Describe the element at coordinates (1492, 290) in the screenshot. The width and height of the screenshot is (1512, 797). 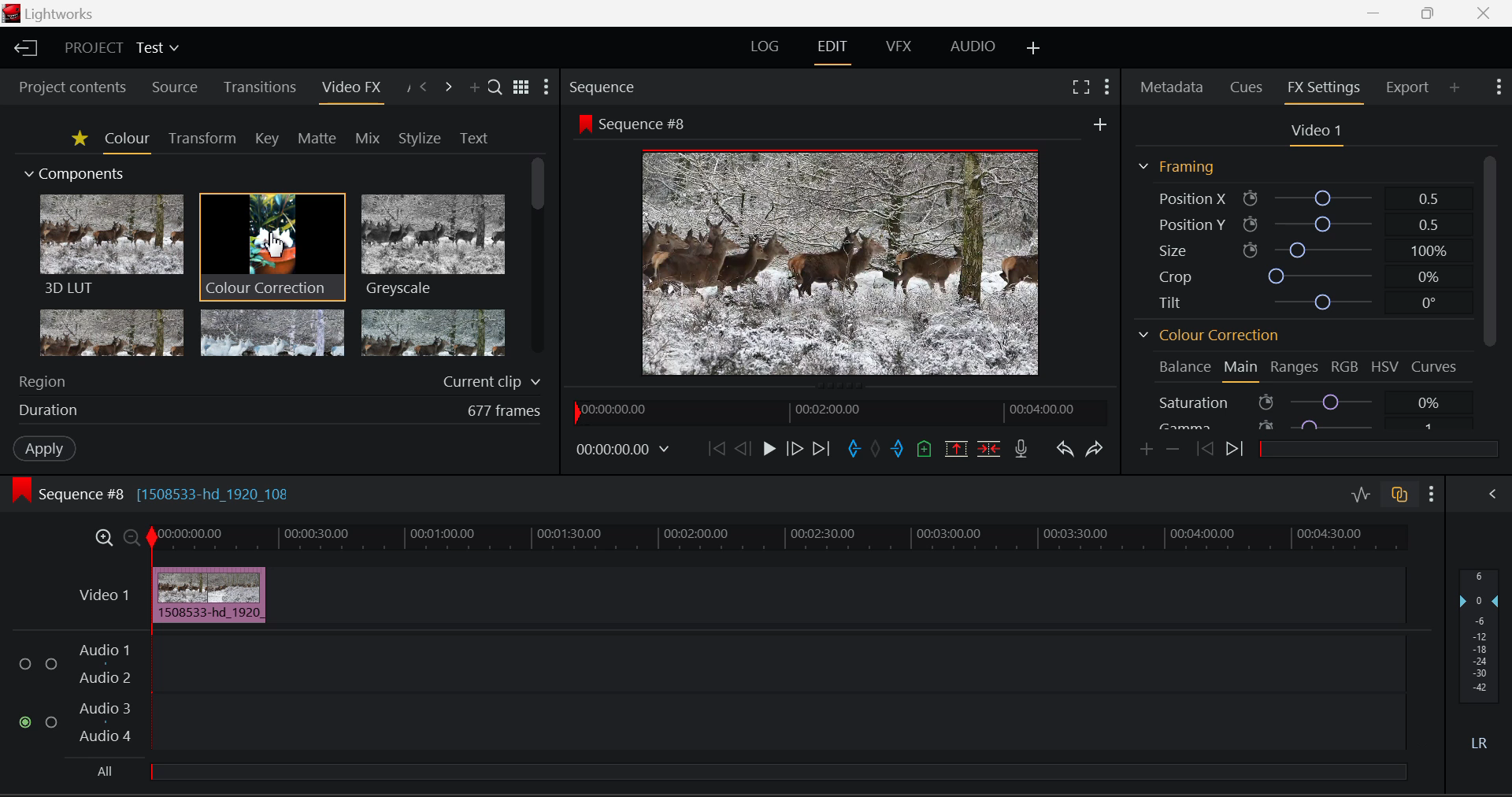
I see `Scroll Bar` at that location.